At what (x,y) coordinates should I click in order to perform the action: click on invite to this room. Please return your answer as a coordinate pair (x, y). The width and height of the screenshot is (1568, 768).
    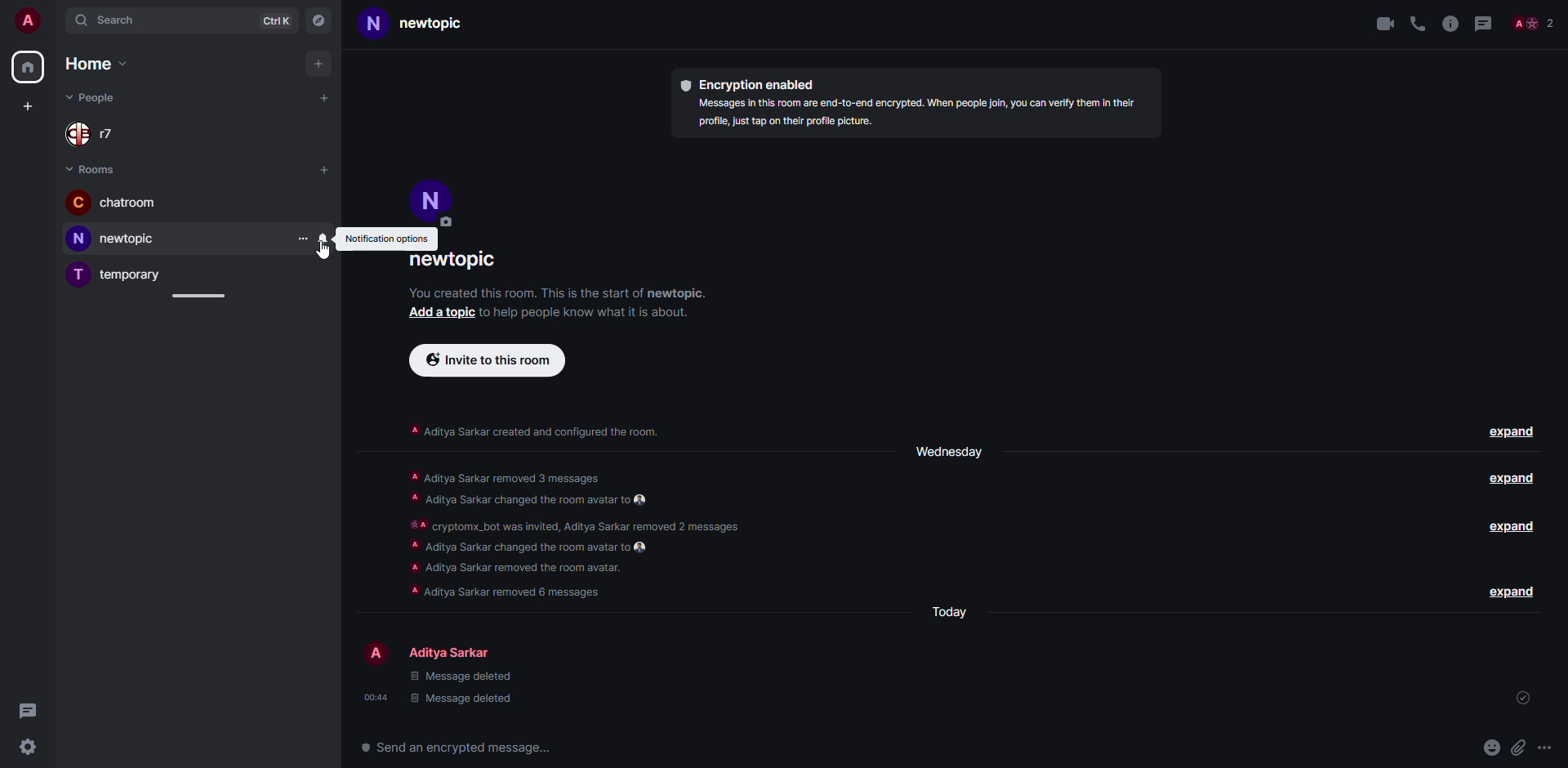
    Looking at the image, I should click on (482, 360).